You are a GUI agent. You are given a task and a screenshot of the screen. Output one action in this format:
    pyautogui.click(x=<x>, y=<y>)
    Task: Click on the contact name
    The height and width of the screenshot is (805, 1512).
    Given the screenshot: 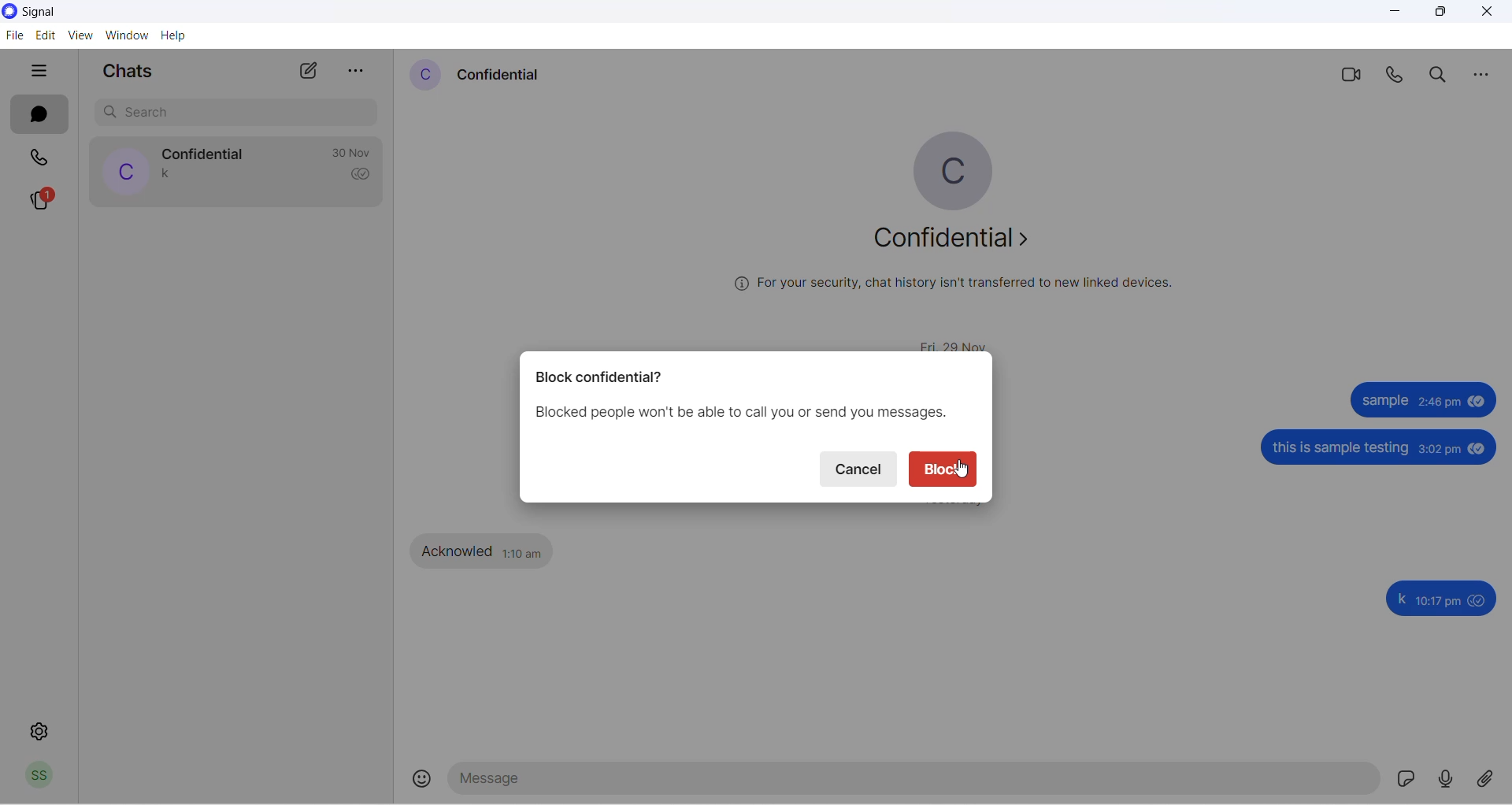 What is the action you would take?
    pyautogui.click(x=202, y=152)
    